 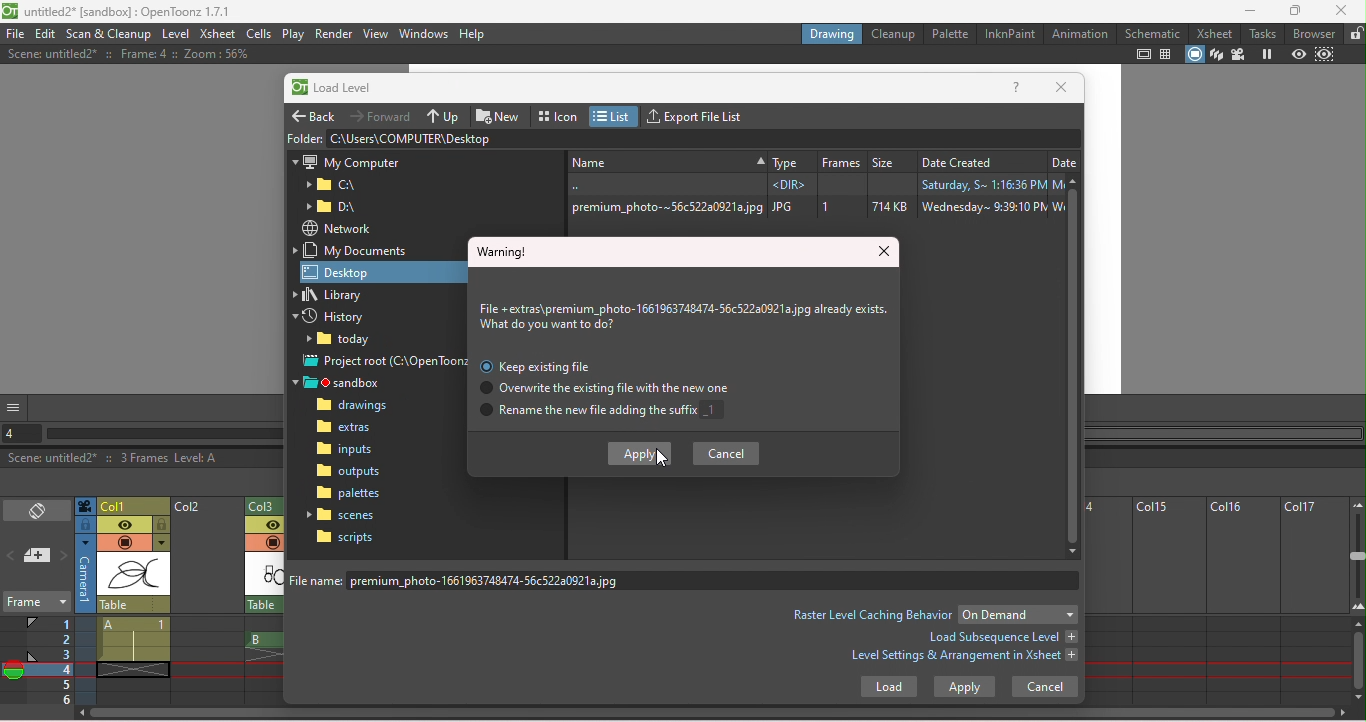 I want to click on Field guide, so click(x=1169, y=54).